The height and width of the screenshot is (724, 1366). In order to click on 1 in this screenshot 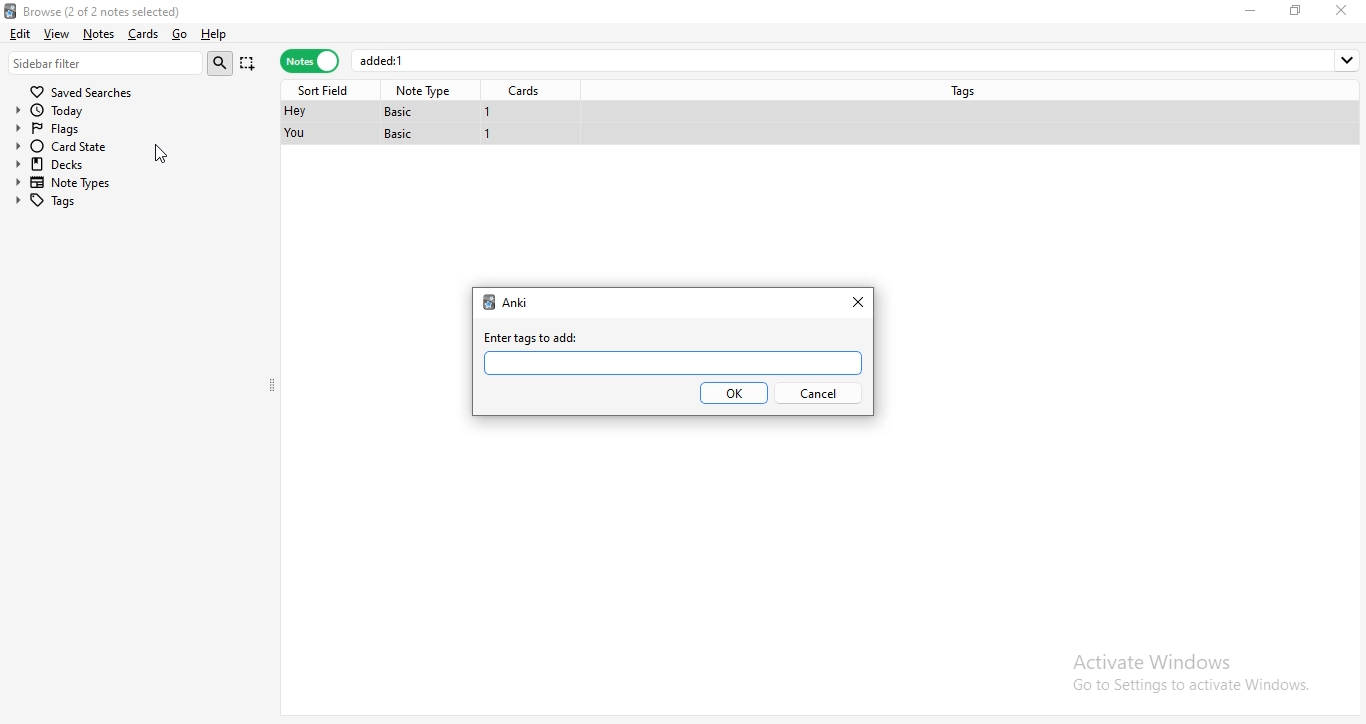, I will do `click(488, 112)`.